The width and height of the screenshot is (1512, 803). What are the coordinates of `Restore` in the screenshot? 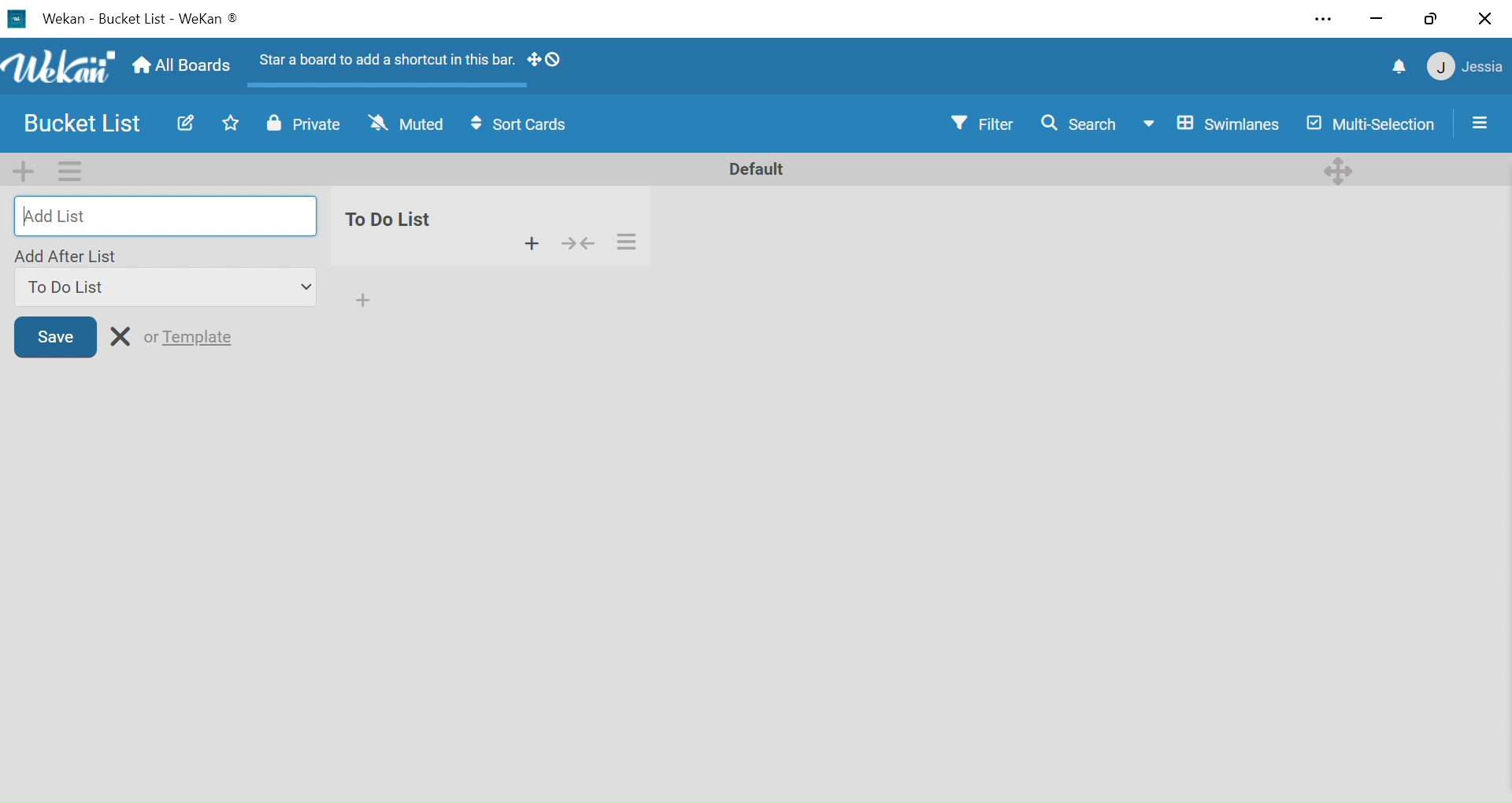 It's located at (1430, 19).